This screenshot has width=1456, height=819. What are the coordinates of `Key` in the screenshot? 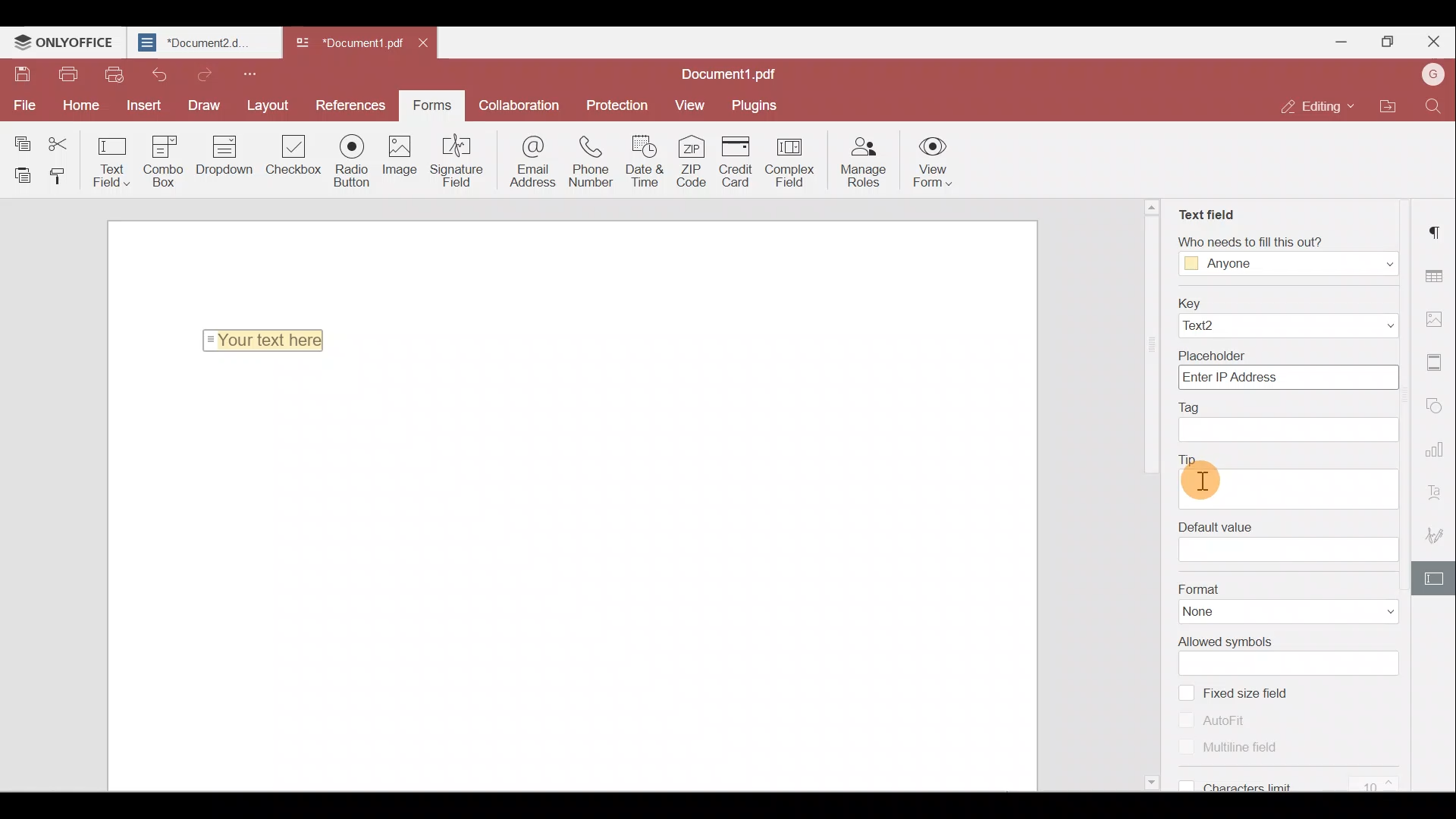 It's located at (1288, 302).